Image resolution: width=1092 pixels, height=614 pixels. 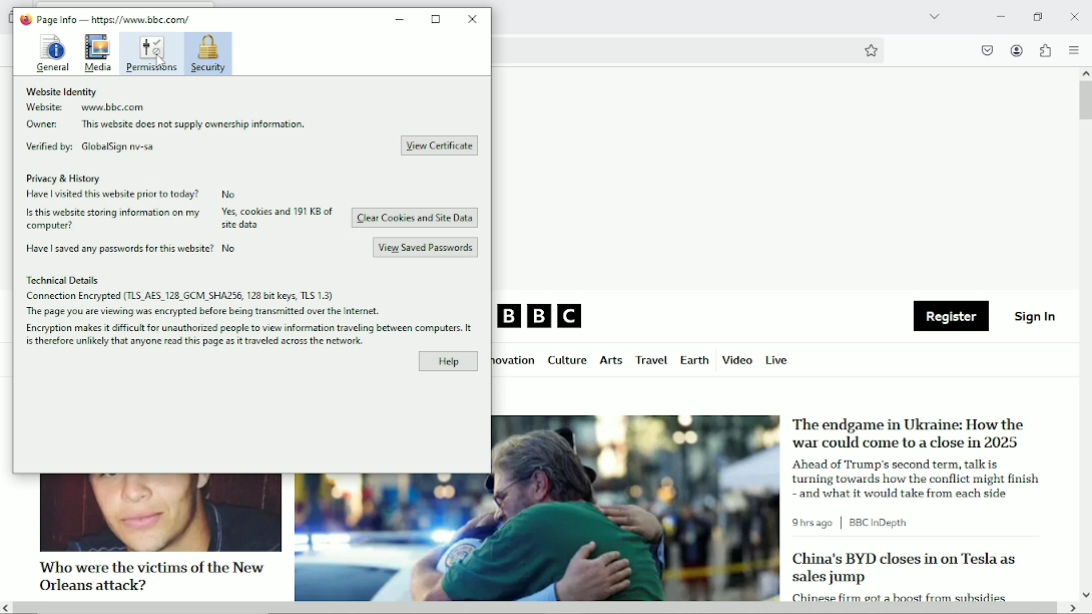 I want to click on Horizontal scrollbar, so click(x=537, y=609).